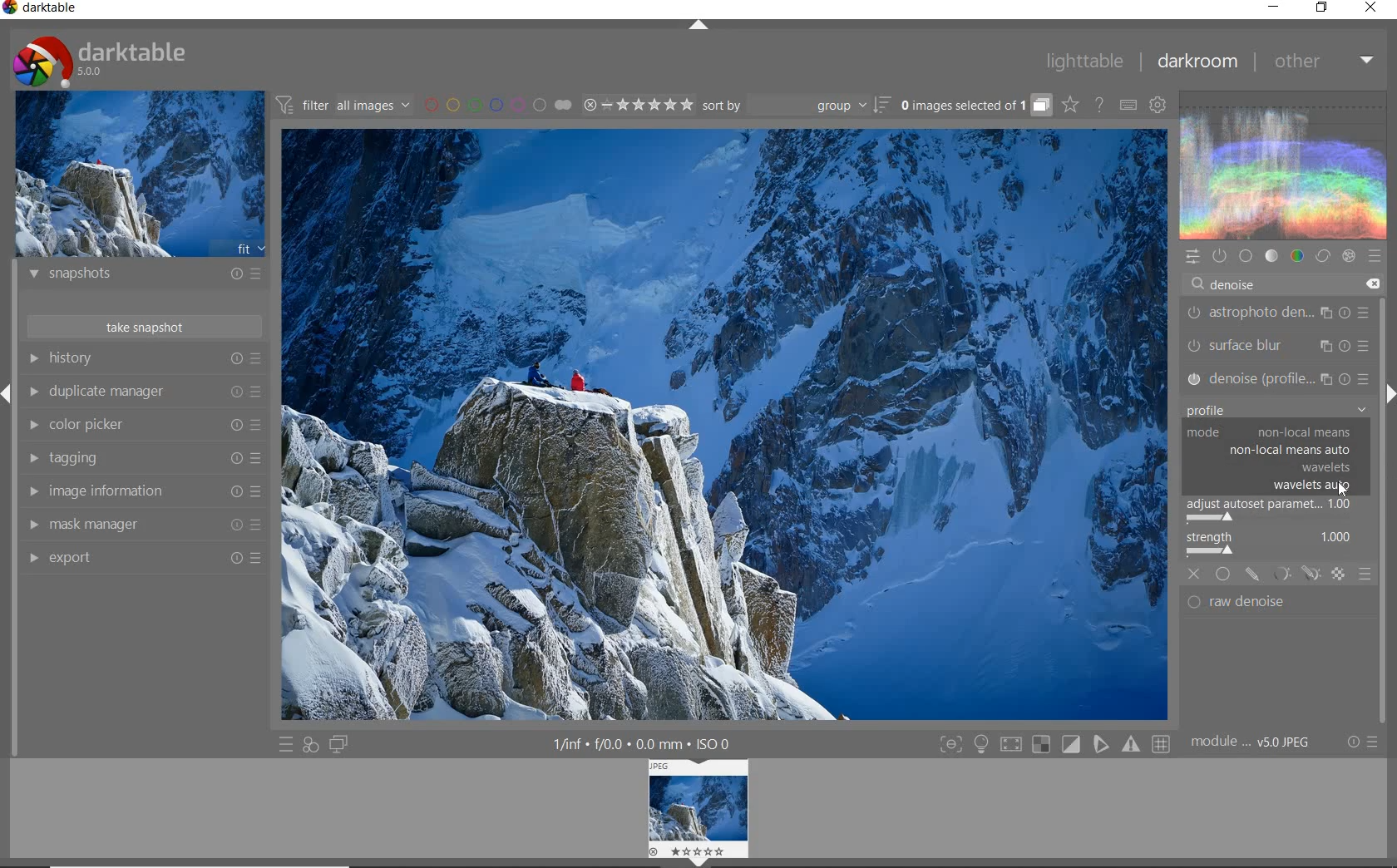 The width and height of the screenshot is (1397, 868). Describe the element at coordinates (141, 425) in the screenshot. I see `color picker` at that location.